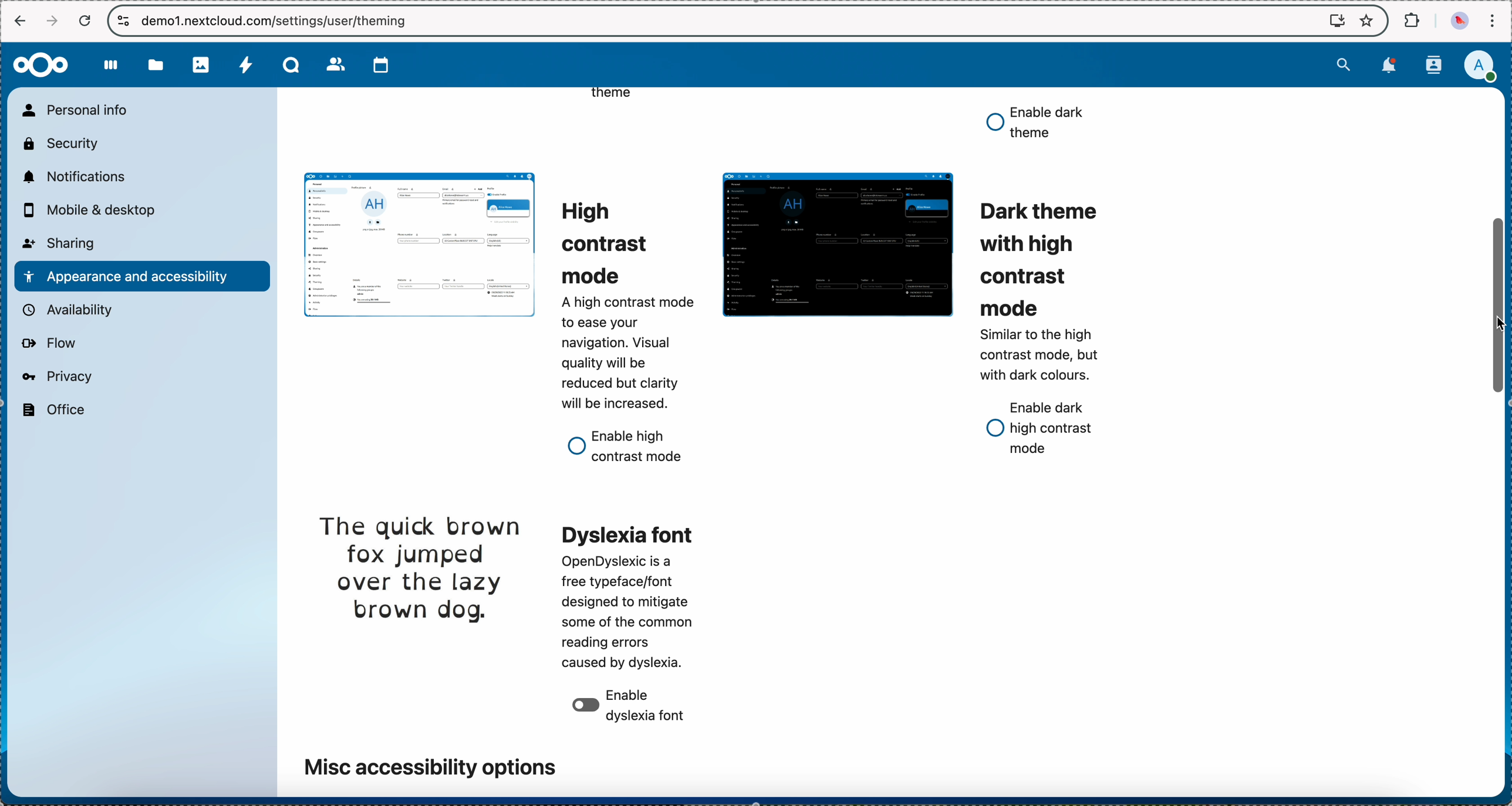  What do you see at coordinates (1331, 21) in the screenshot?
I see `screen` at bounding box center [1331, 21].